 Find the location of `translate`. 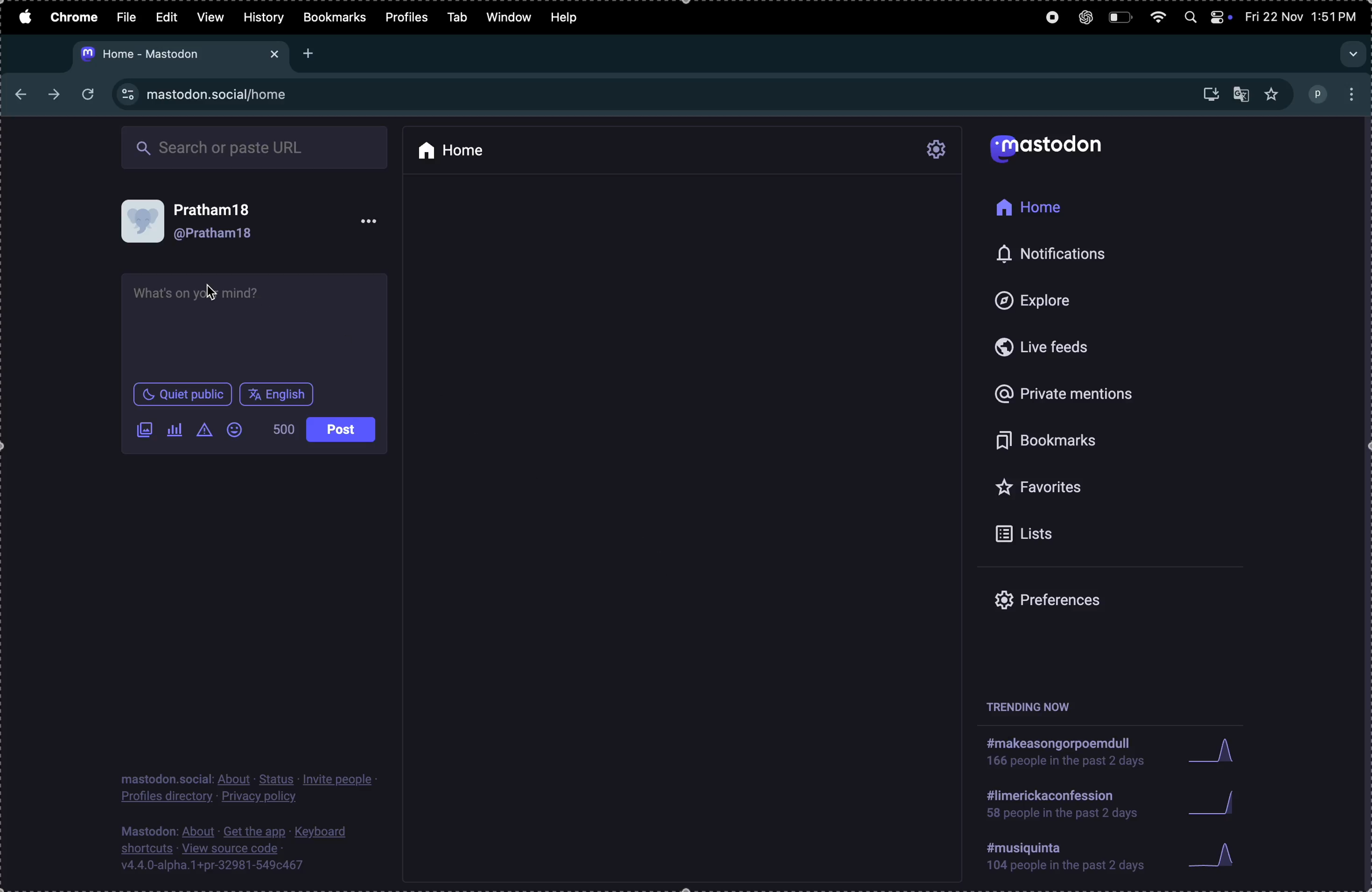

translate is located at coordinates (1240, 94).